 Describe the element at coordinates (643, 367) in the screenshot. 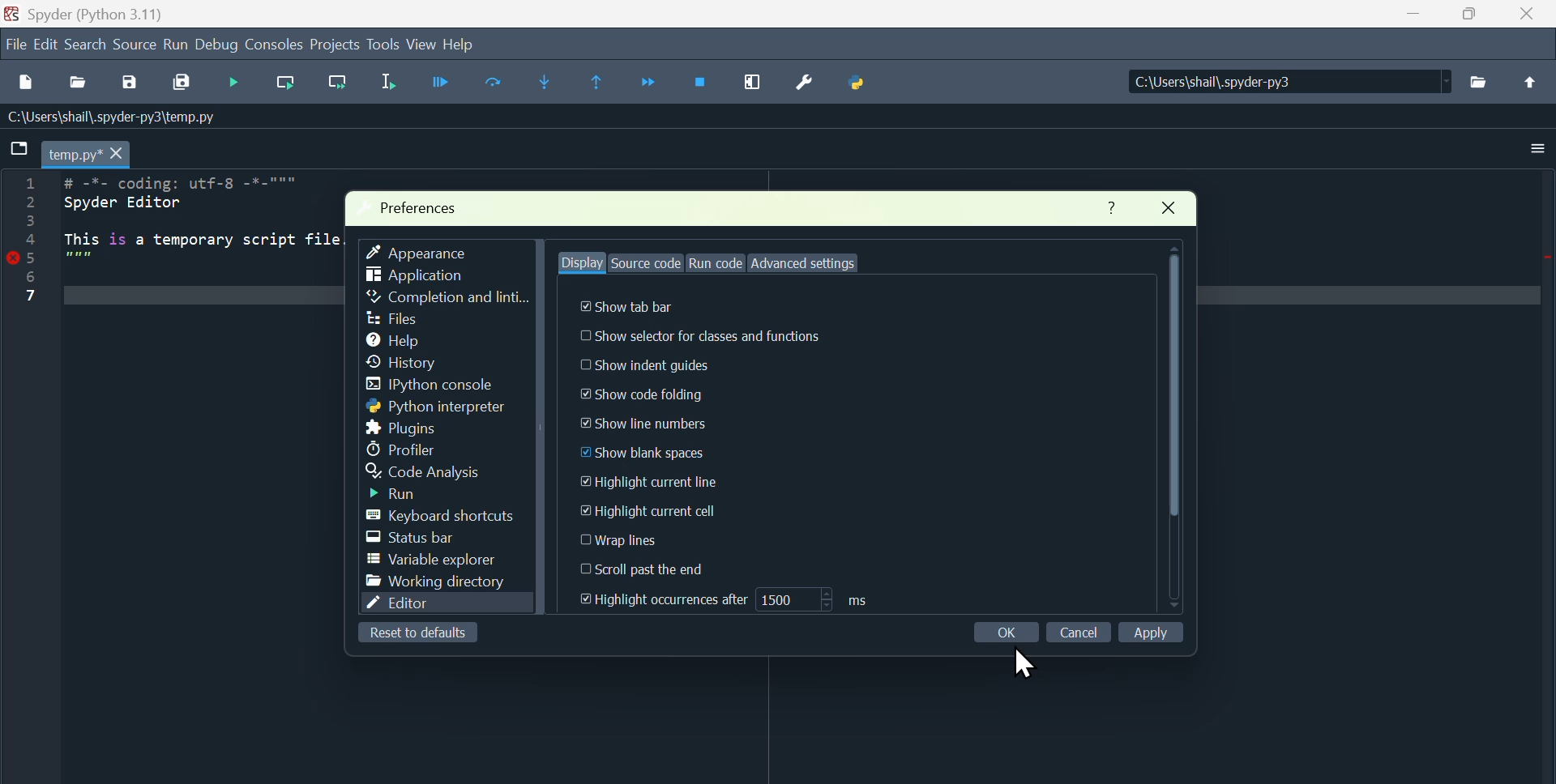

I see `Show indent guides` at that location.